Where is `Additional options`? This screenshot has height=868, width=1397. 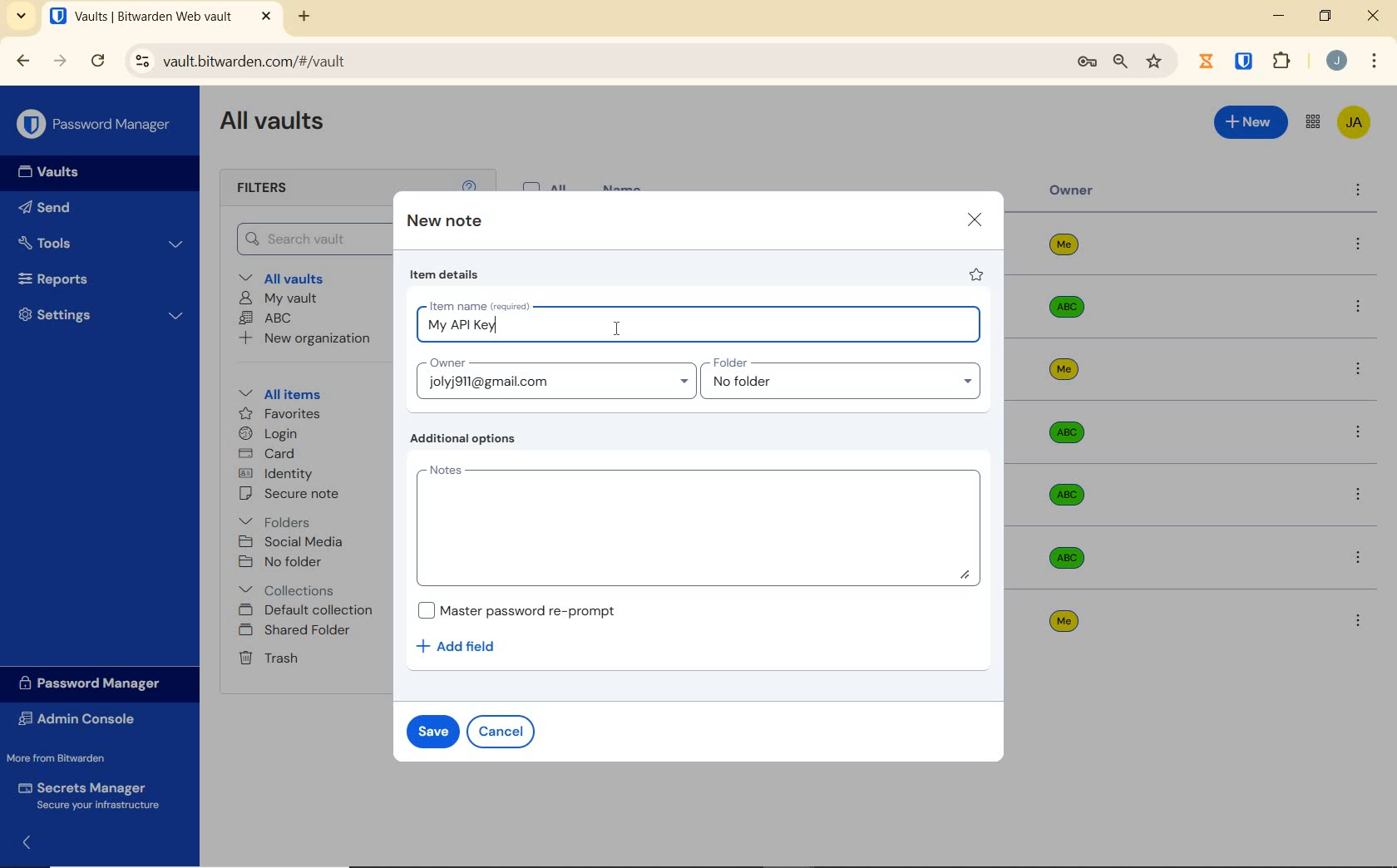 Additional options is located at coordinates (466, 440).